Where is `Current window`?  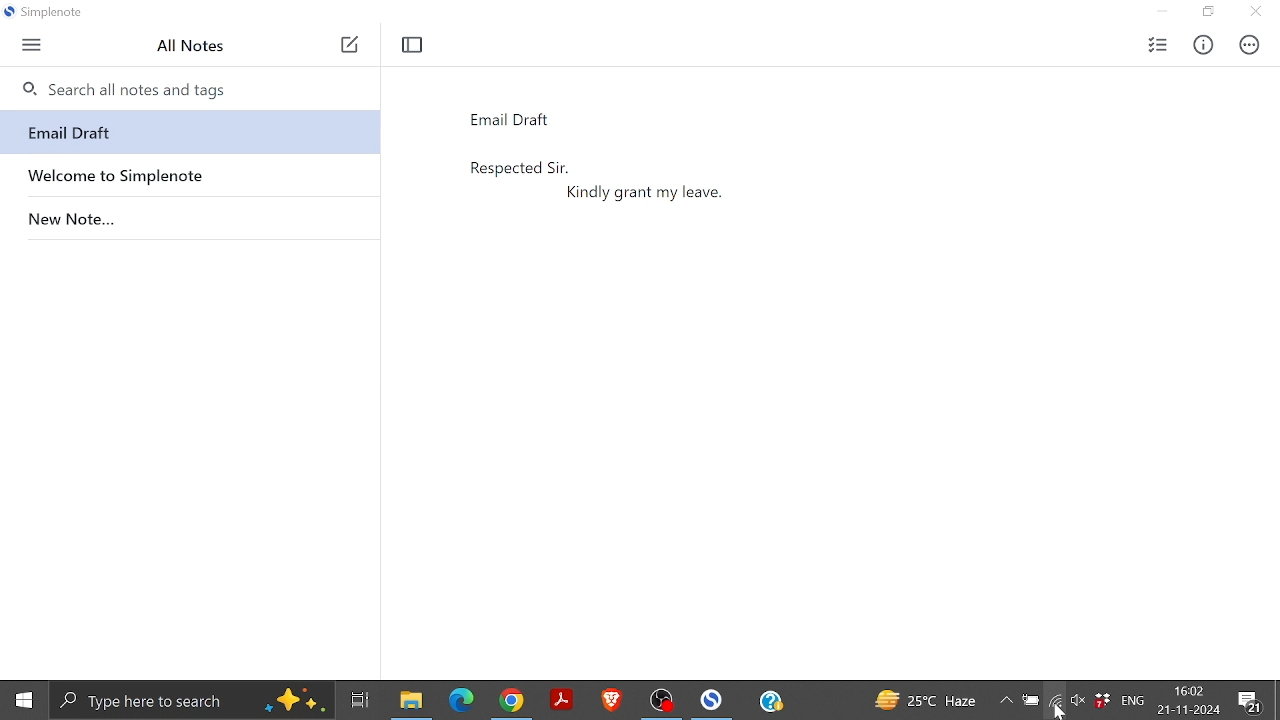
Current window is located at coordinates (49, 14).